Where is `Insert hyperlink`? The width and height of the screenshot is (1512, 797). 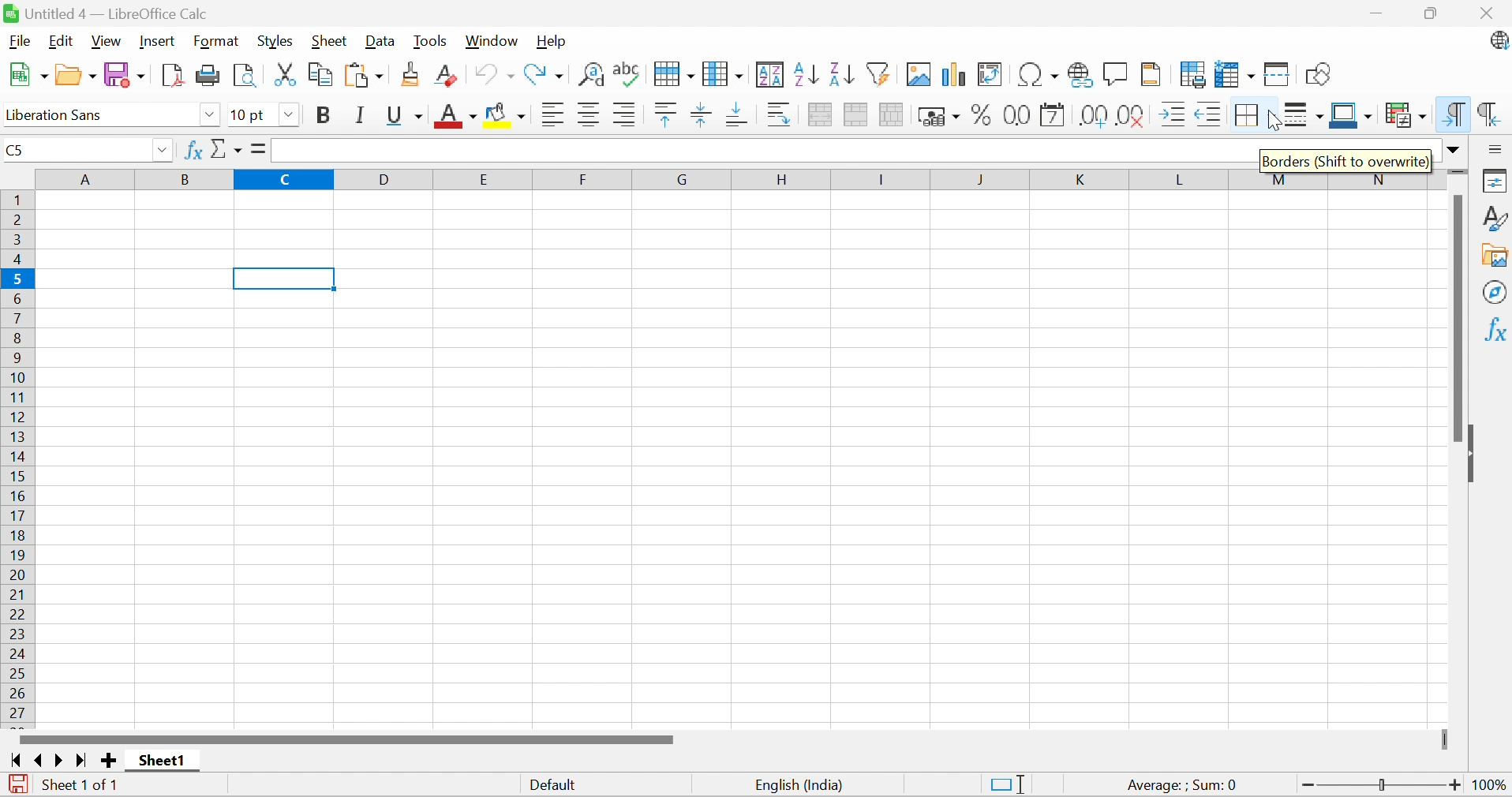 Insert hyperlink is located at coordinates (1077, 75).